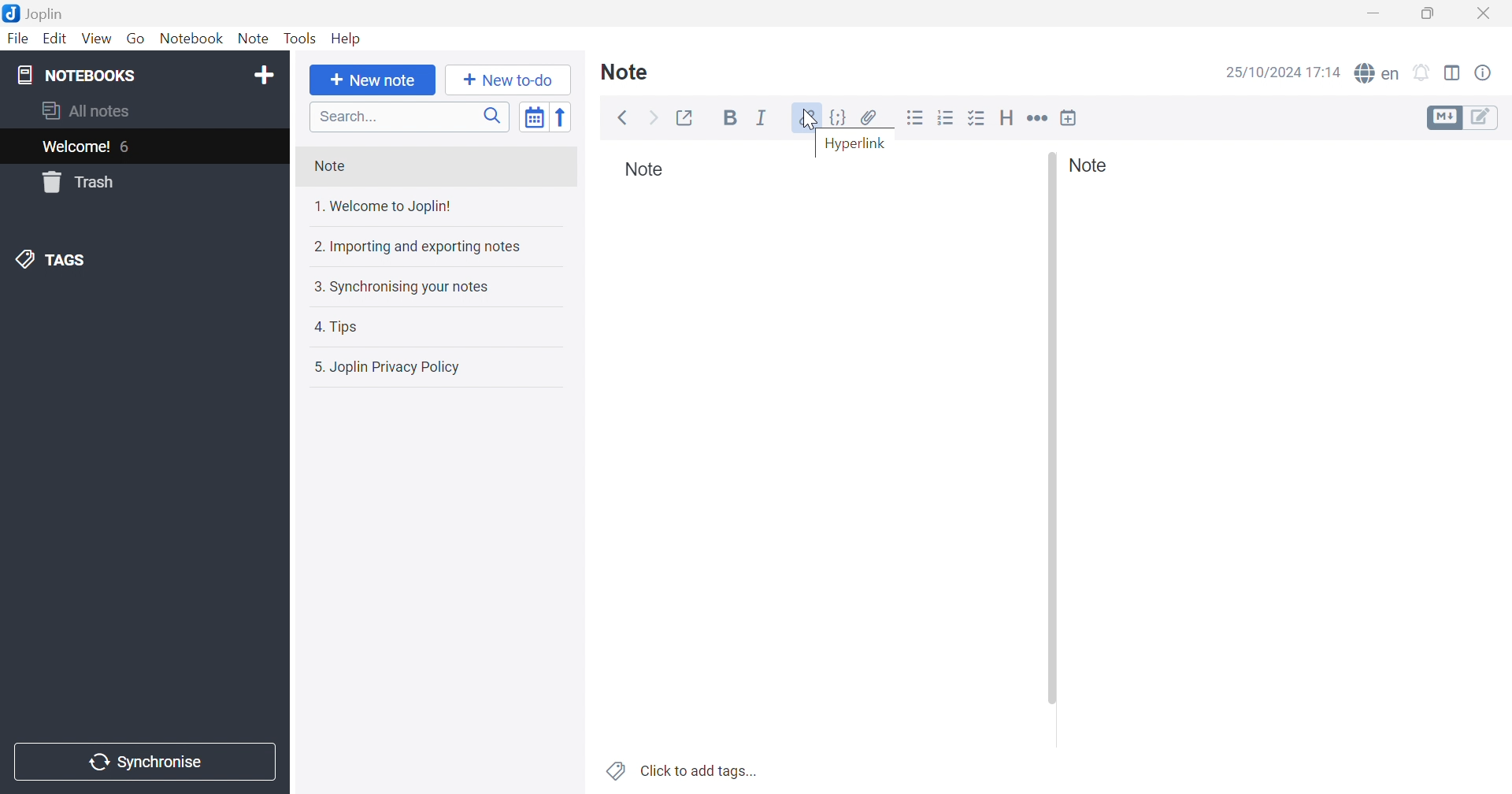 The image size is (1512, 794). Describe the element at coordinates (1484, 72) in the screenshot. I see `Note properties` at that location.